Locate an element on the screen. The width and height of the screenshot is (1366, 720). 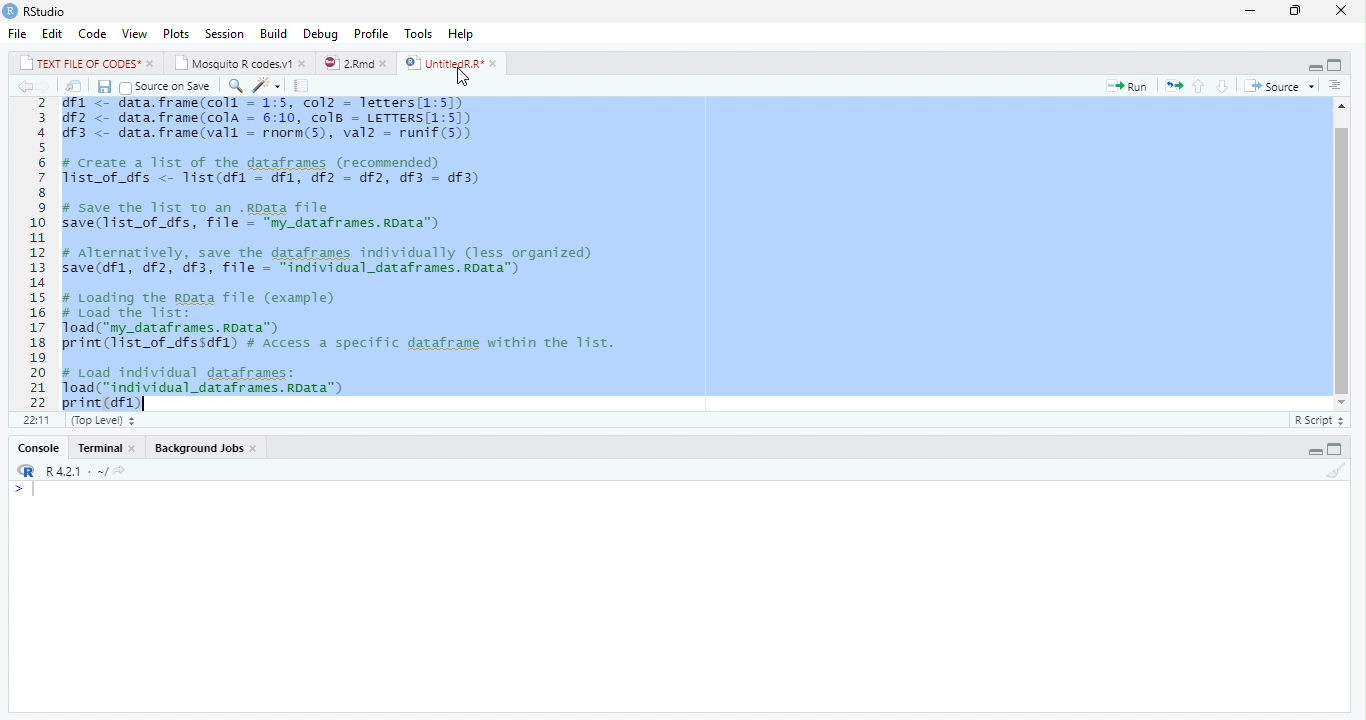
Close is located at coordinates (1341, 11).